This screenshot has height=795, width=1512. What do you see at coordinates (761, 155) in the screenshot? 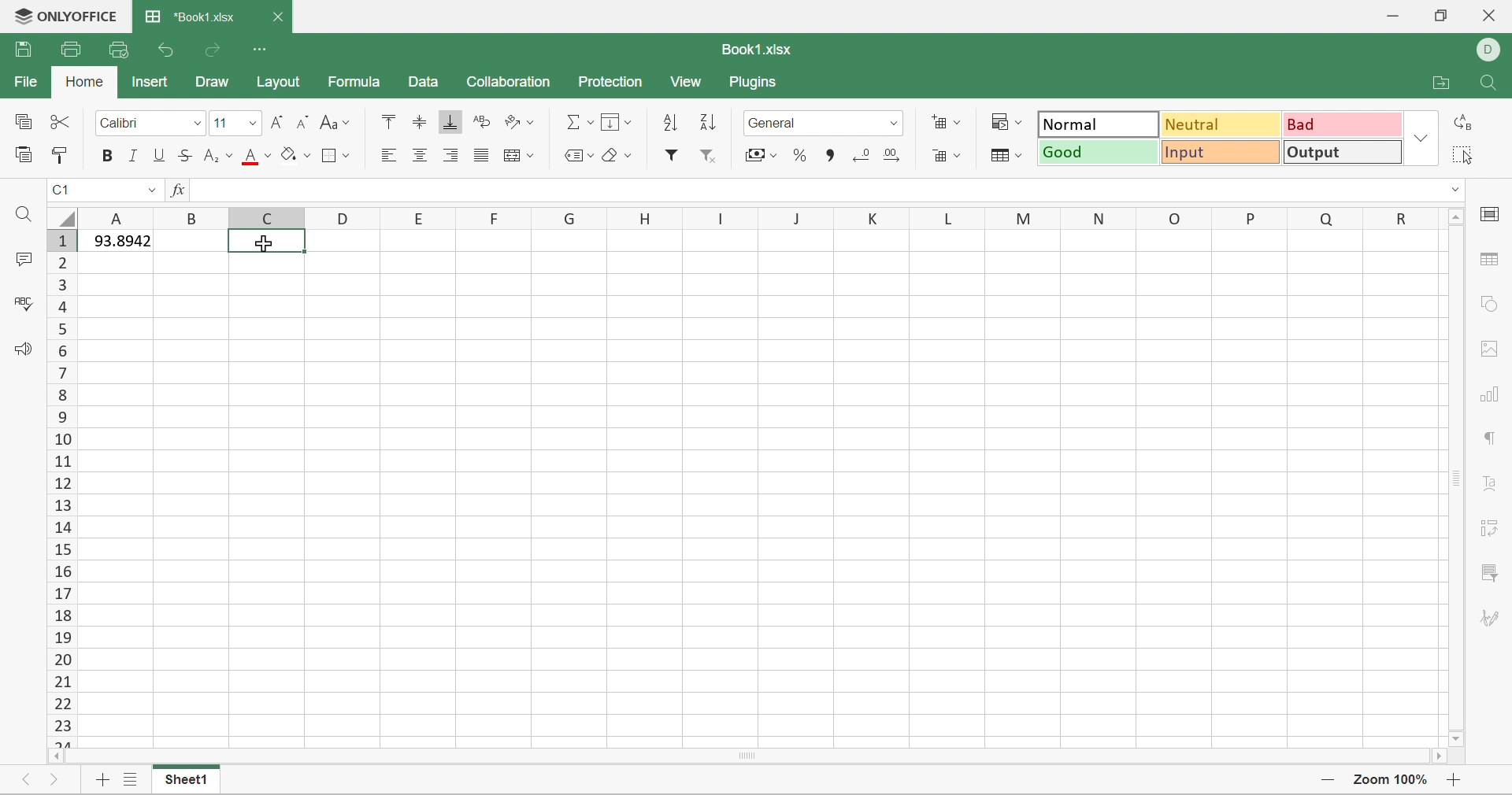
I see `Accounting style` at bounding box center [761, 155].